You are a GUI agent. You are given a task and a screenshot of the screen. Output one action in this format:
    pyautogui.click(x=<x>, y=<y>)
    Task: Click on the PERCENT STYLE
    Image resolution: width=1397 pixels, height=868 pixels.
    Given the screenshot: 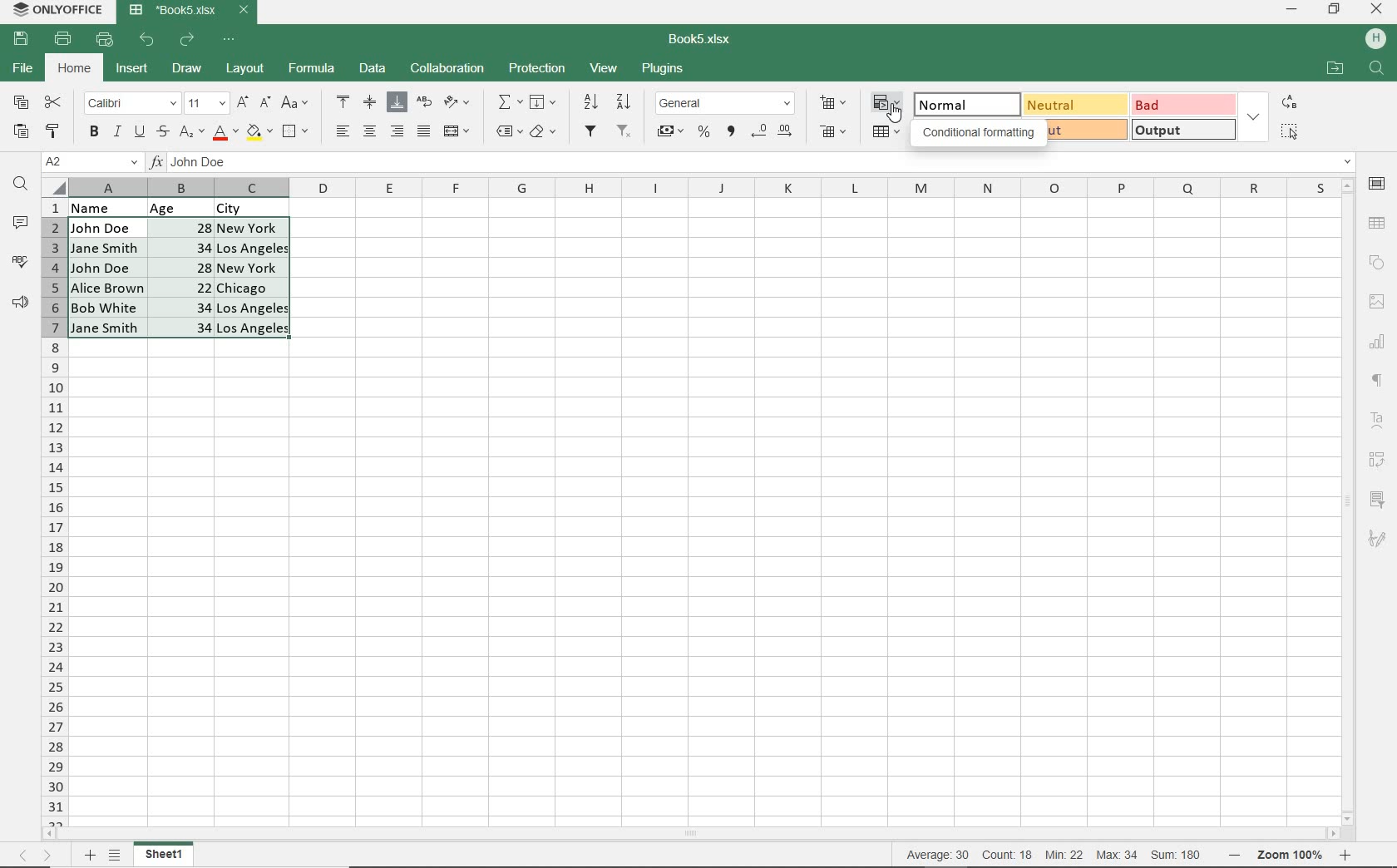 What is the action you would take?
    pyautogui.click(x=703, y=132)
    